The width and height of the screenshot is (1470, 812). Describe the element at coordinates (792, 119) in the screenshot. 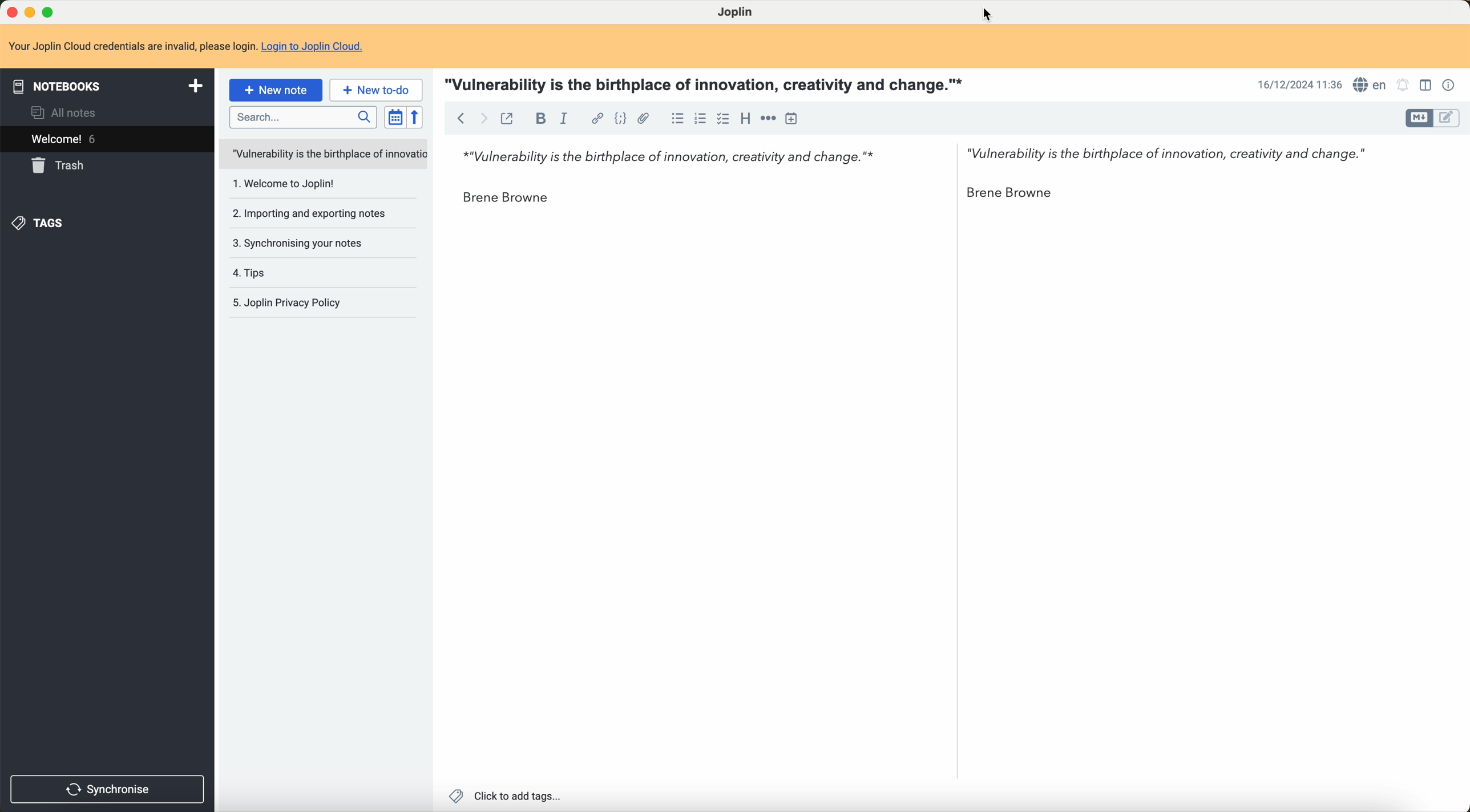

I see `insert time` at that location.